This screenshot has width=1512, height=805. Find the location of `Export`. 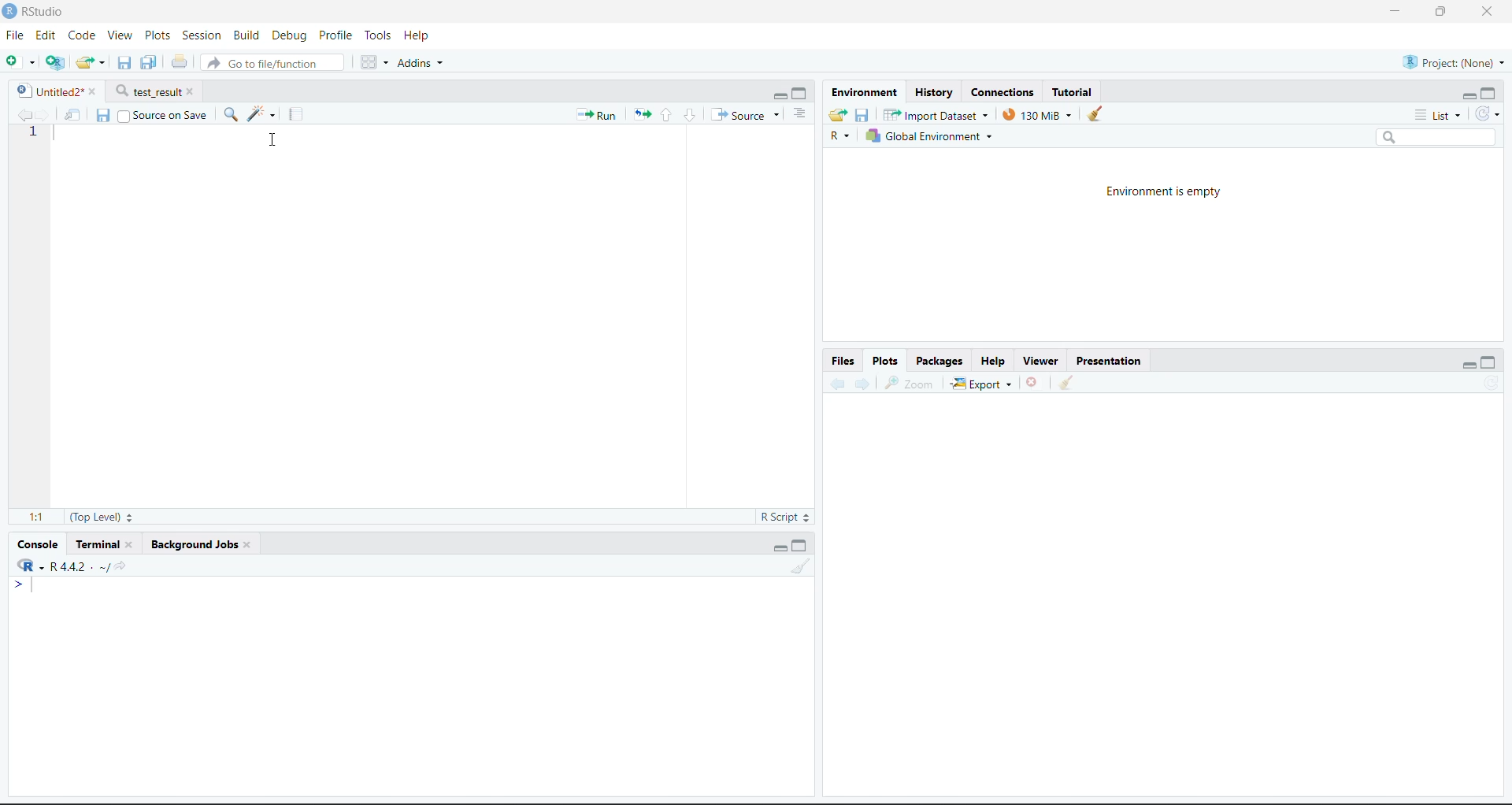

Export is located at coordinates (984, 381).